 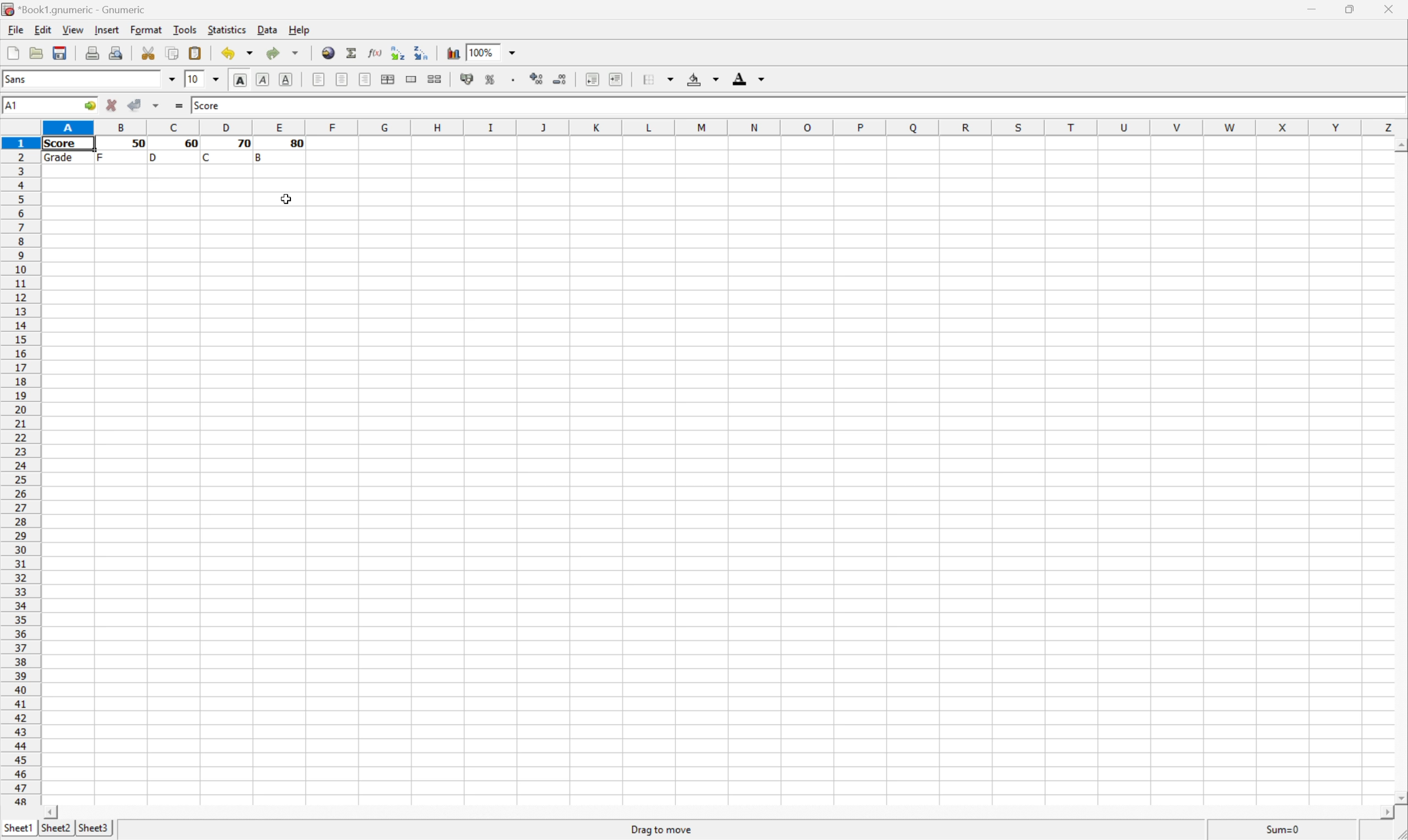 What do you see at coordinates (184, 28) in the screenshot?
I see `Tools` at bounding box center [184, 28].